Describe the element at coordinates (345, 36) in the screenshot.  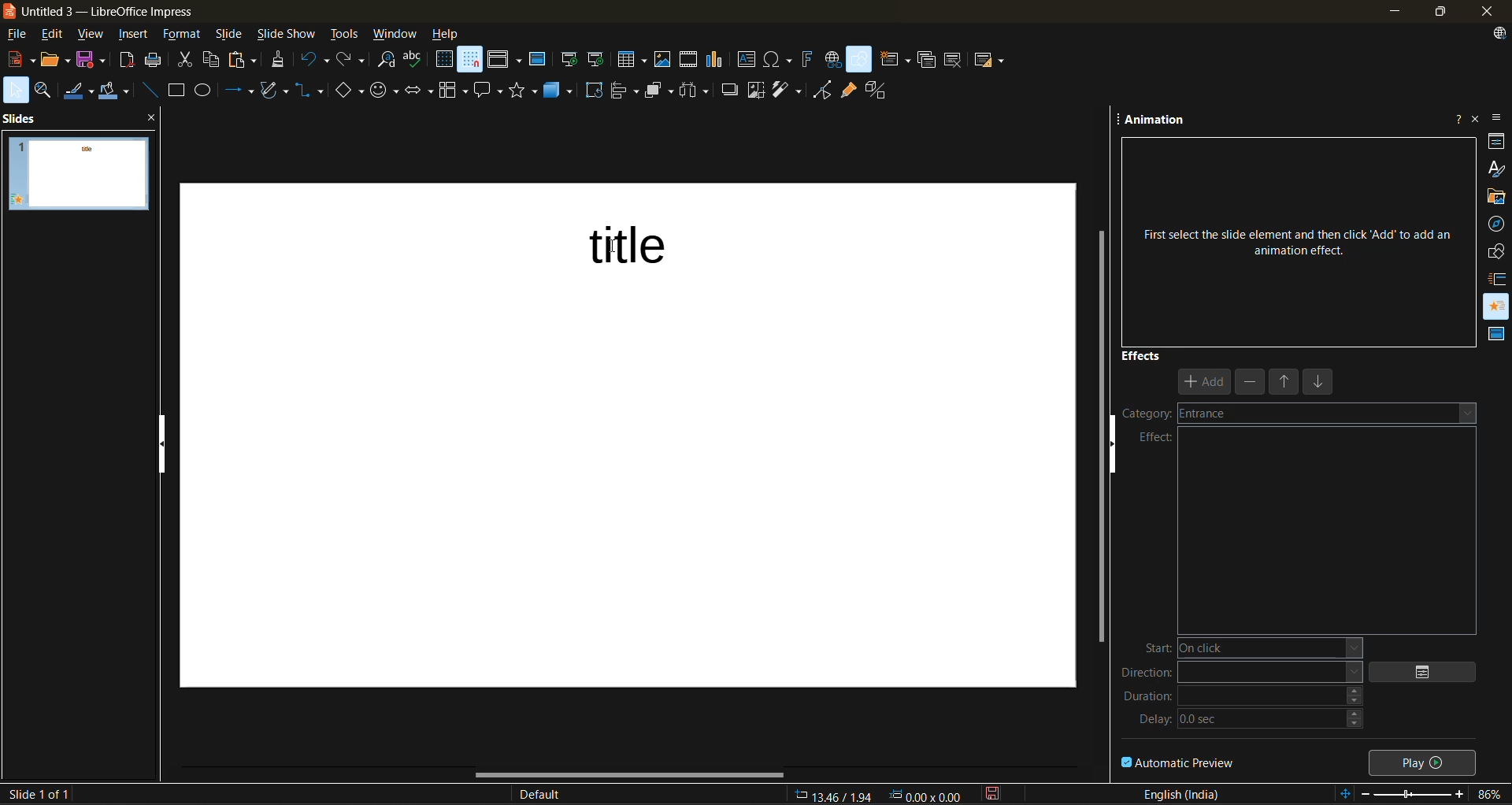
I see `tools` at that location.